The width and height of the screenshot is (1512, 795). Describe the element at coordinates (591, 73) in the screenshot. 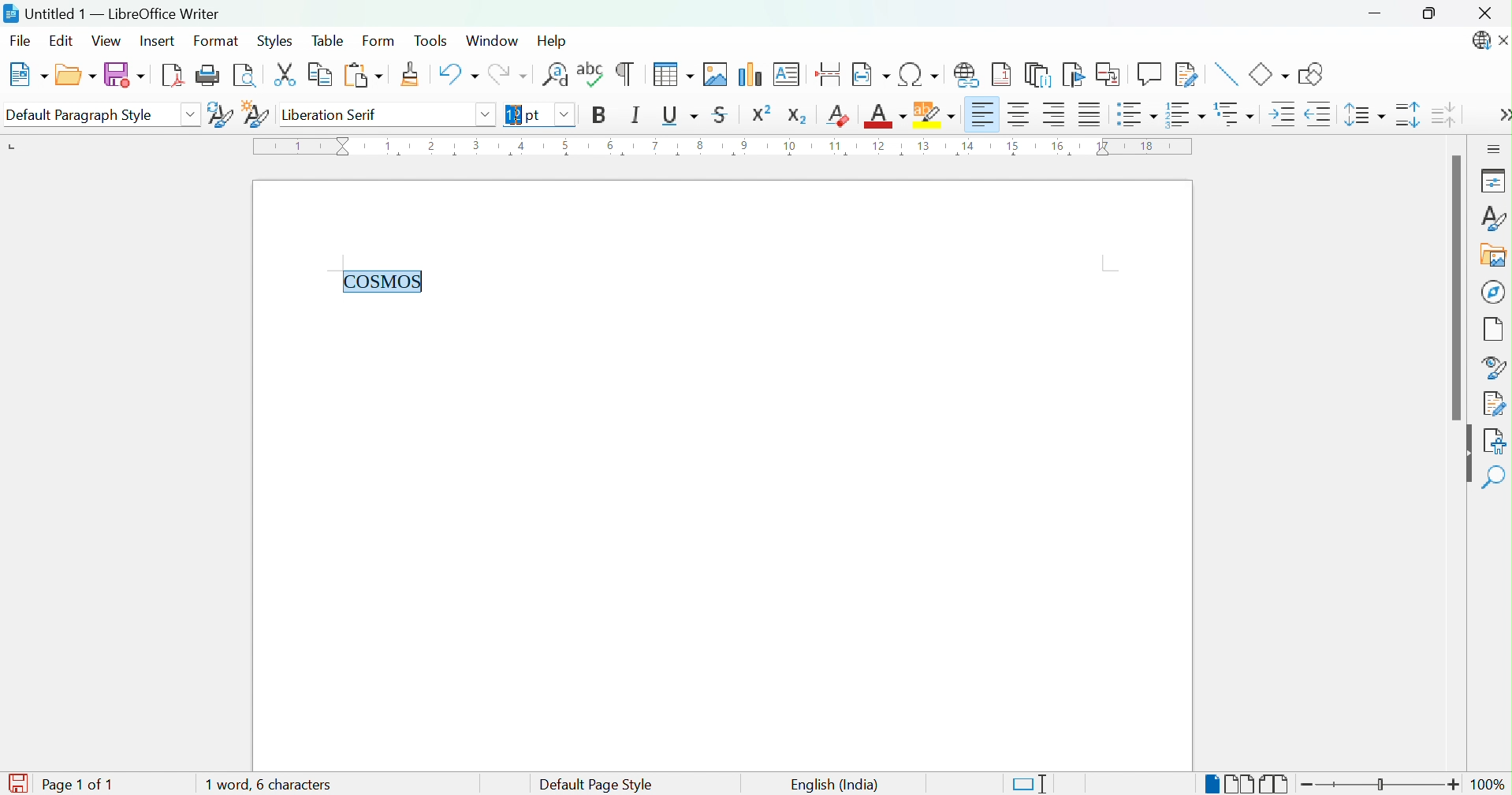

I see `Check Spelling` at that location.